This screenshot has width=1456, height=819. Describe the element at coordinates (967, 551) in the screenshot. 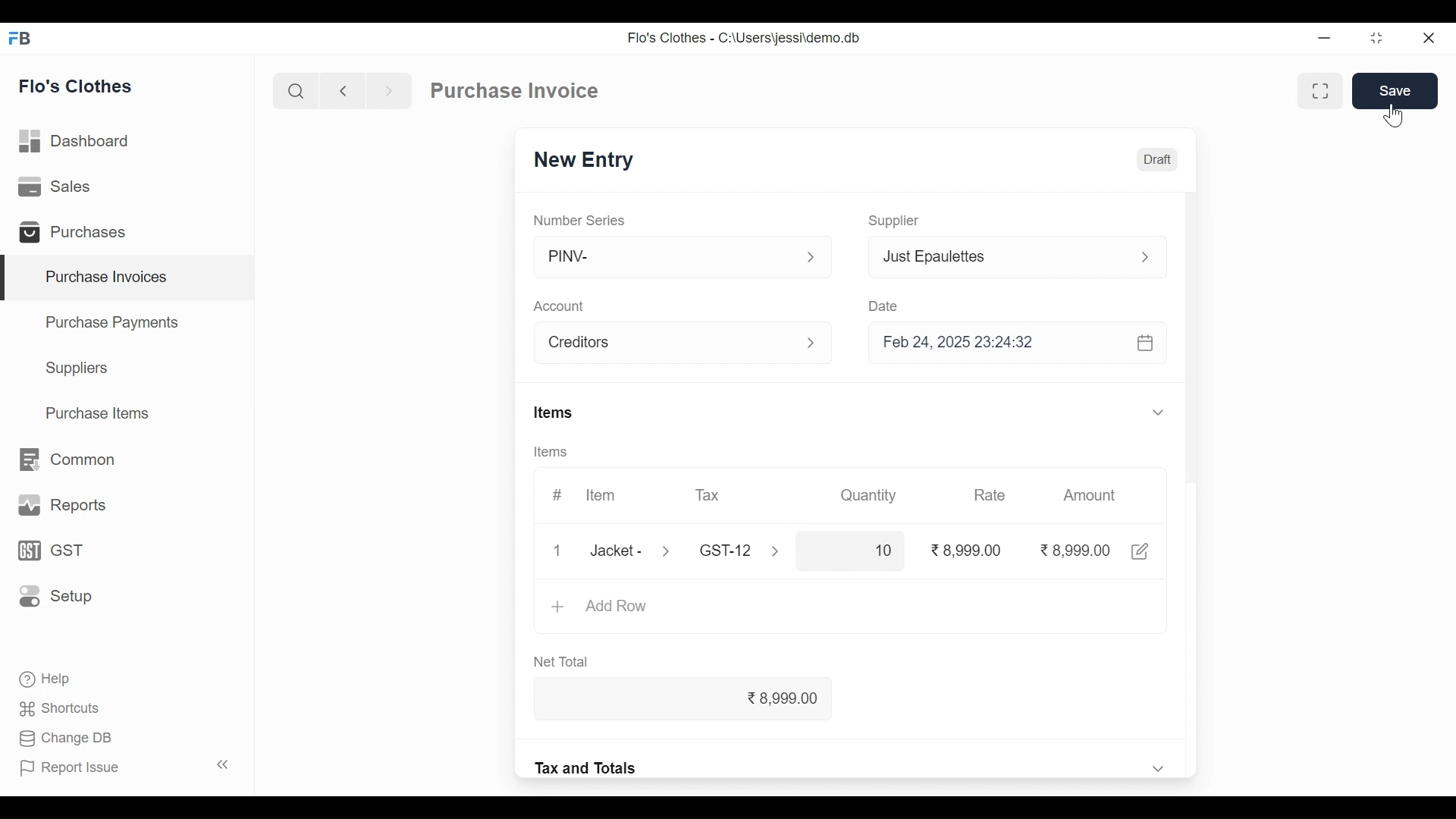

I see `8,999.00` at that location.